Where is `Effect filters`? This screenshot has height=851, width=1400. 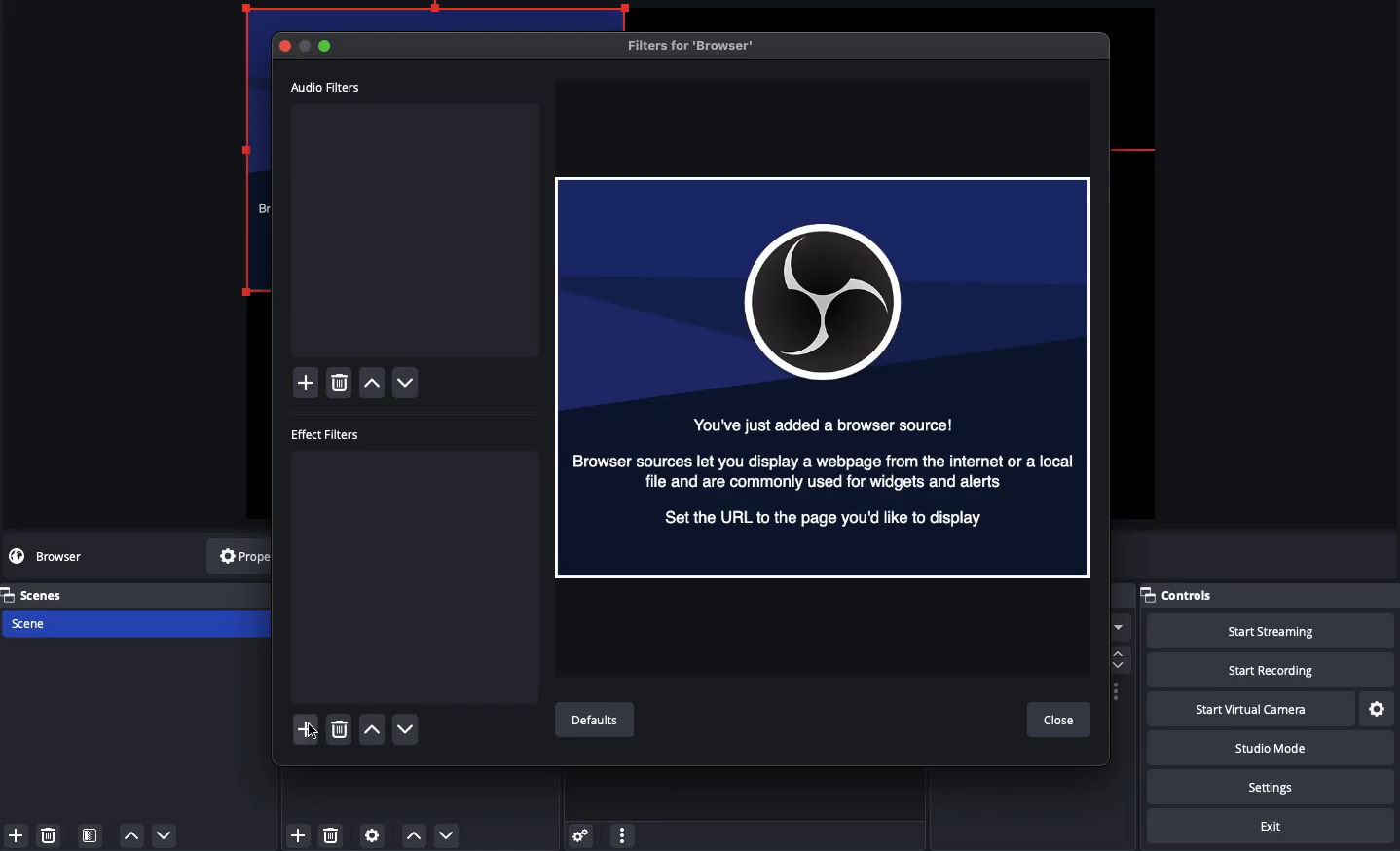
Effect filters is located at coordinates (328, 433).